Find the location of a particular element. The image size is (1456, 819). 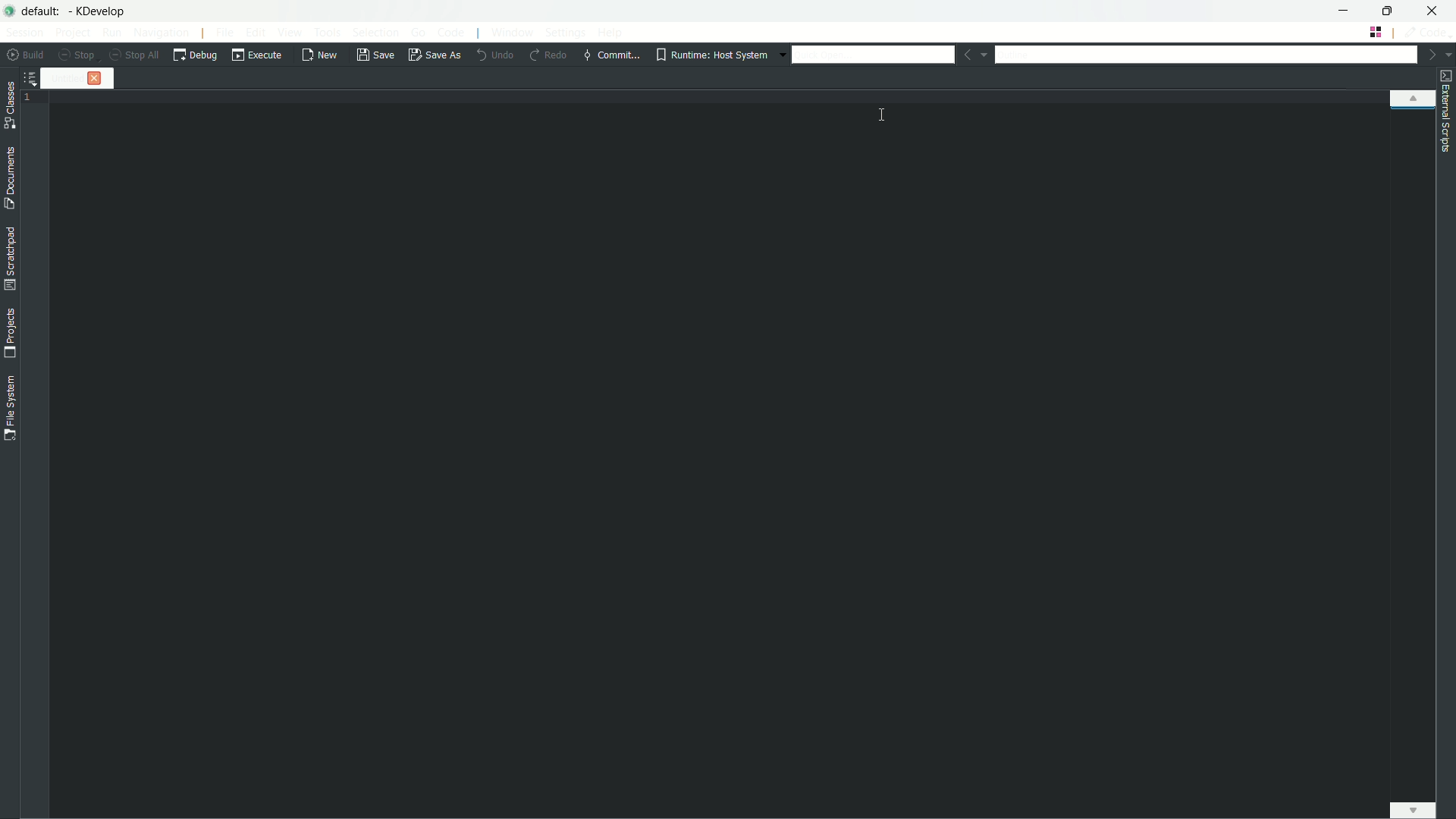

edit is located at coordinates (256, 33).